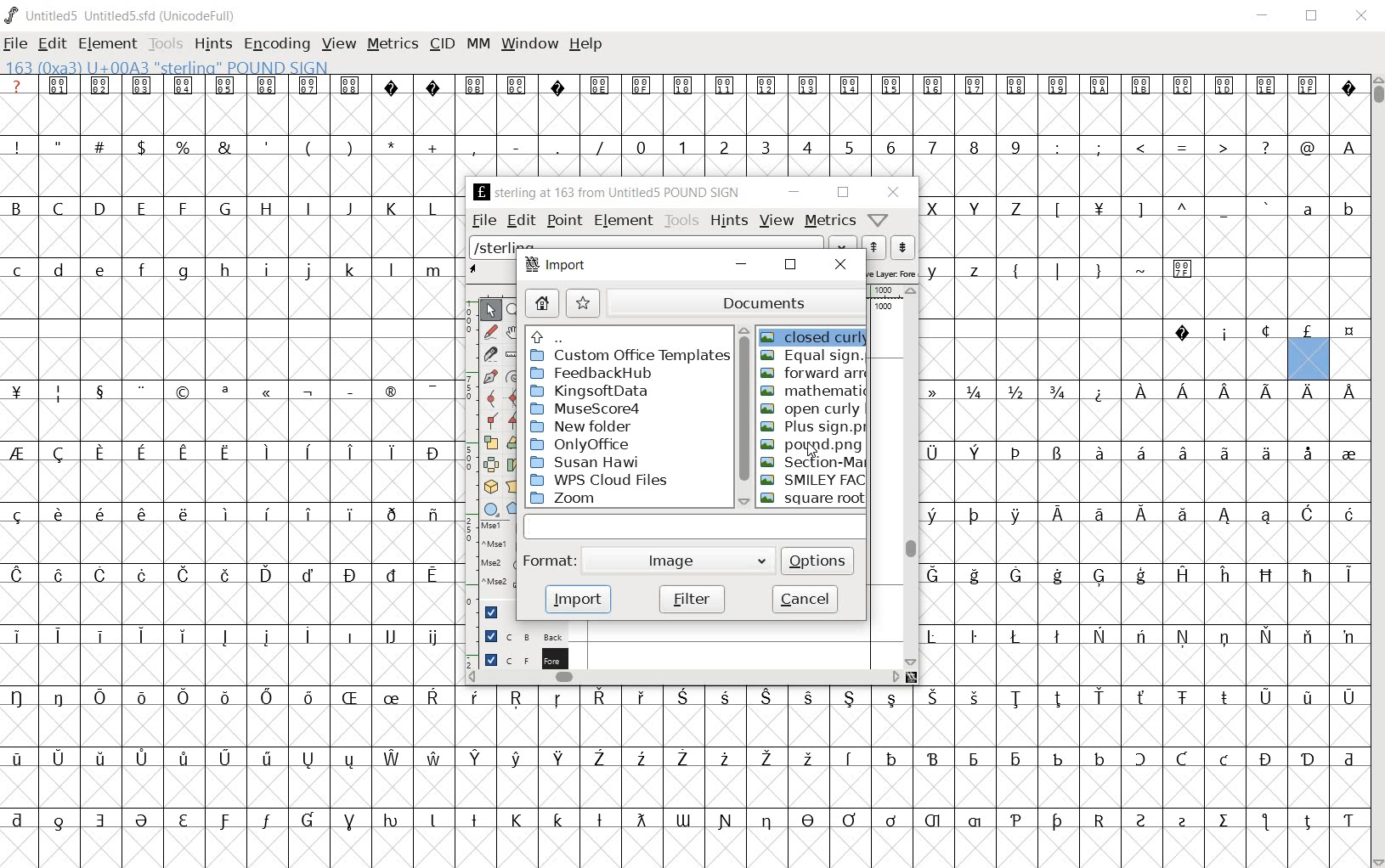  What do you see at coordinates (1224, 576) in the screenshot?
I see `Symbol` at bounding box center [1224, 576].